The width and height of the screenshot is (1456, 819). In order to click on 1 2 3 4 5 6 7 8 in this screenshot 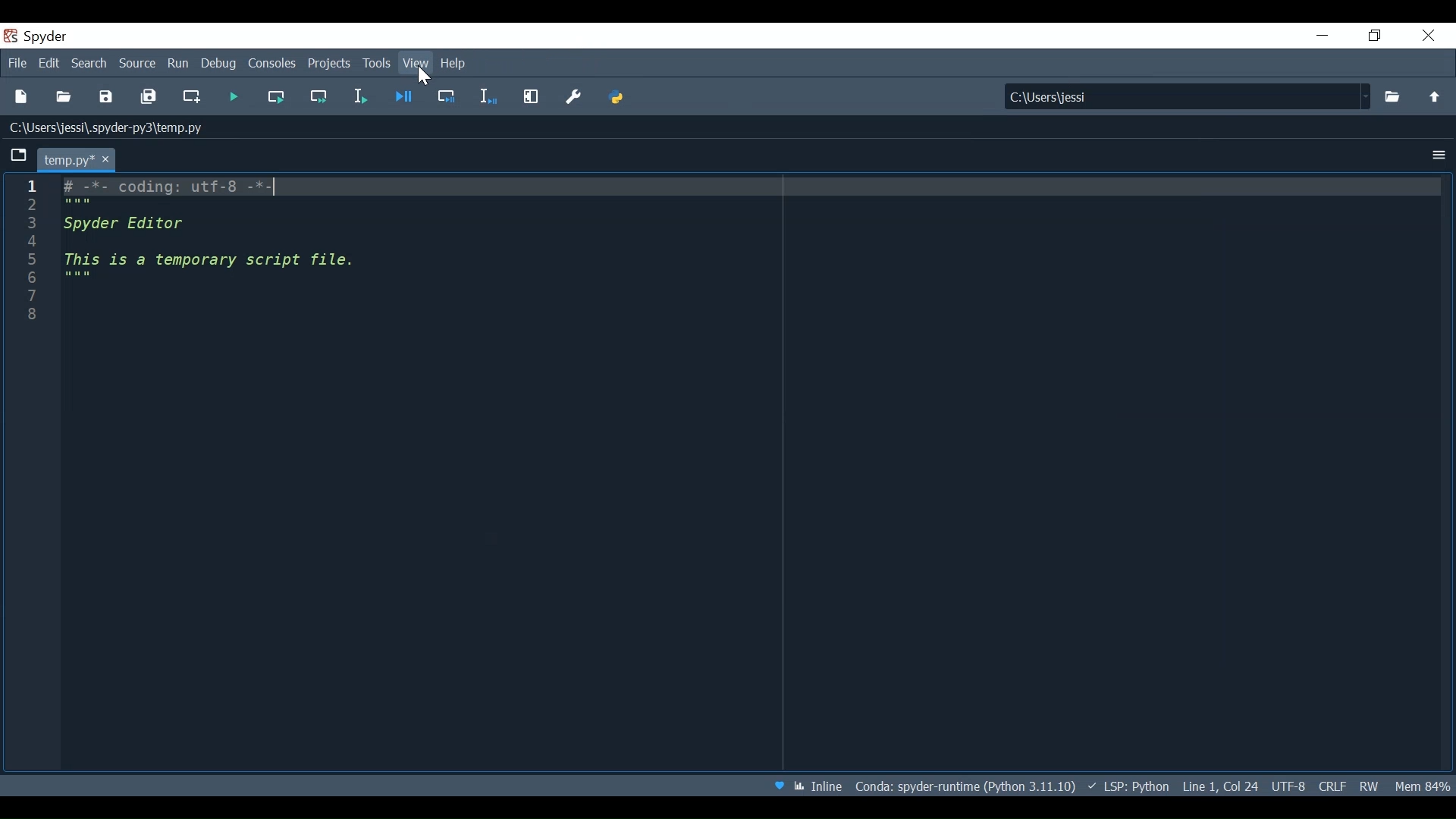, I will do `click(29, 257)`.